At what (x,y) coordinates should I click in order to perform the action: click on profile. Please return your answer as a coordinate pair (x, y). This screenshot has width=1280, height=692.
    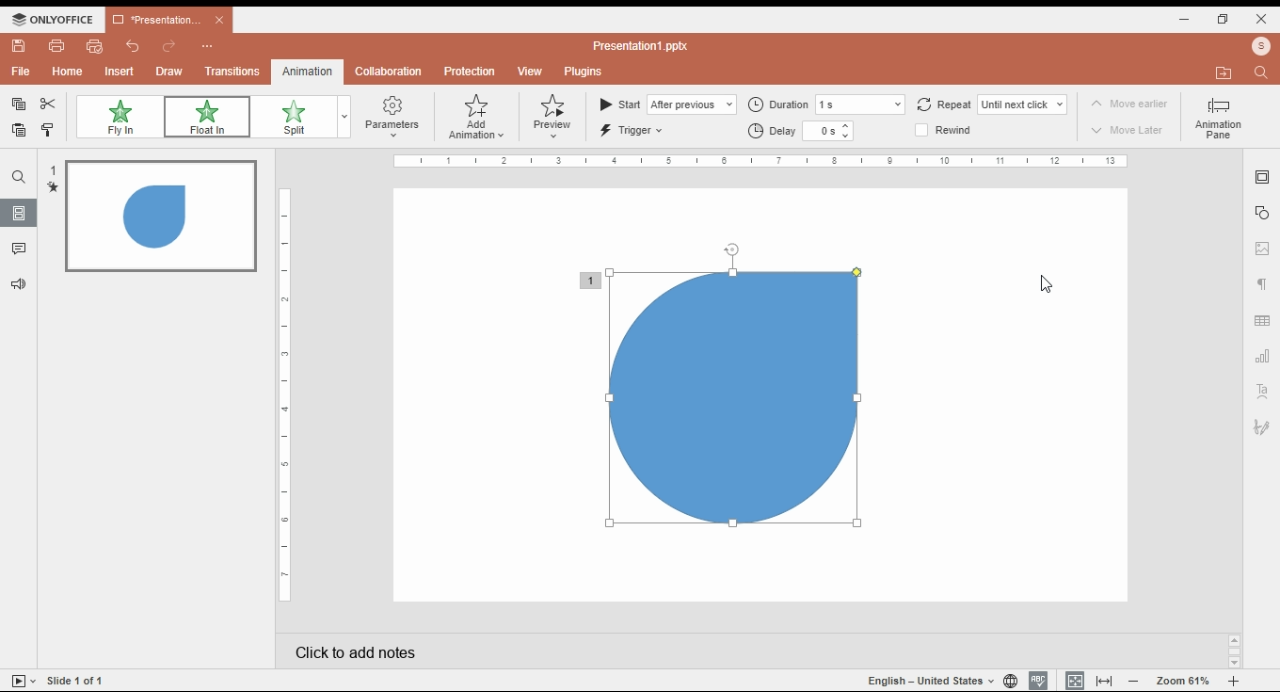
    Looking at the image, I should click on (1222, 72).